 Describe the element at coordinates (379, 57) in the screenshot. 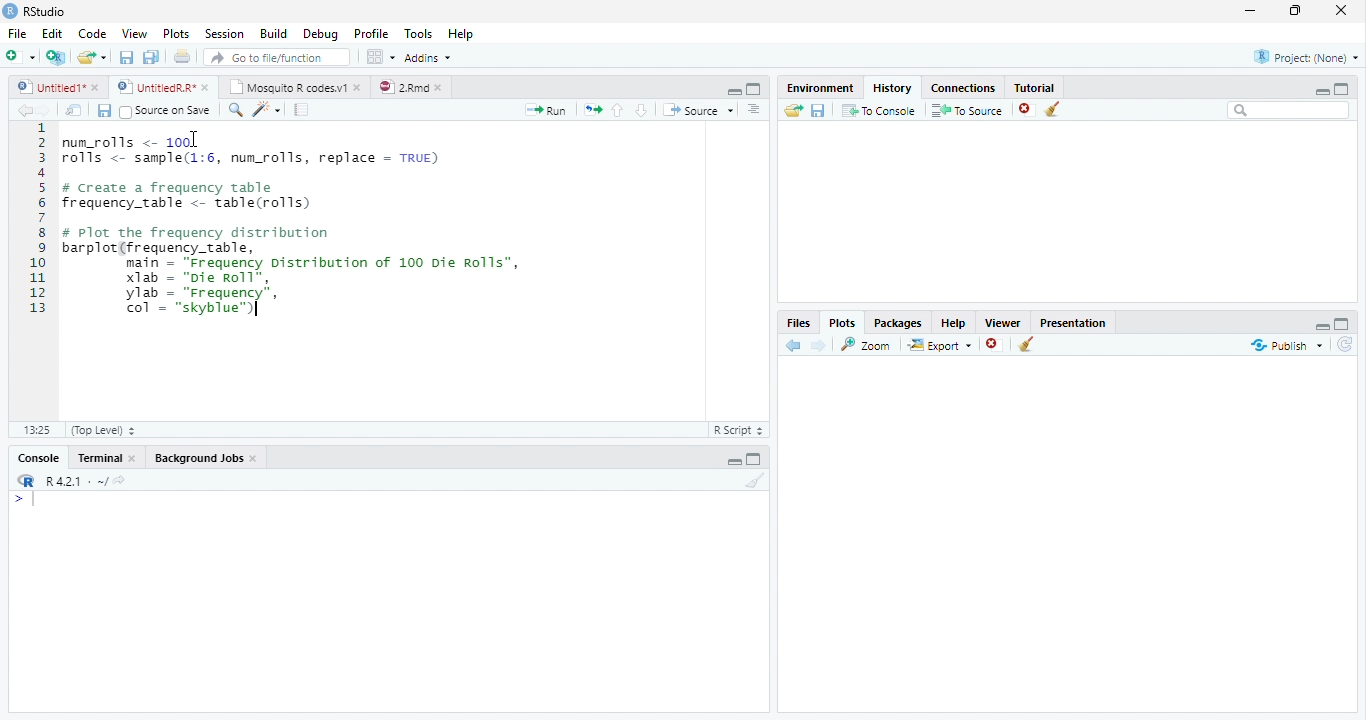

I see `Workspace panes` at that location.